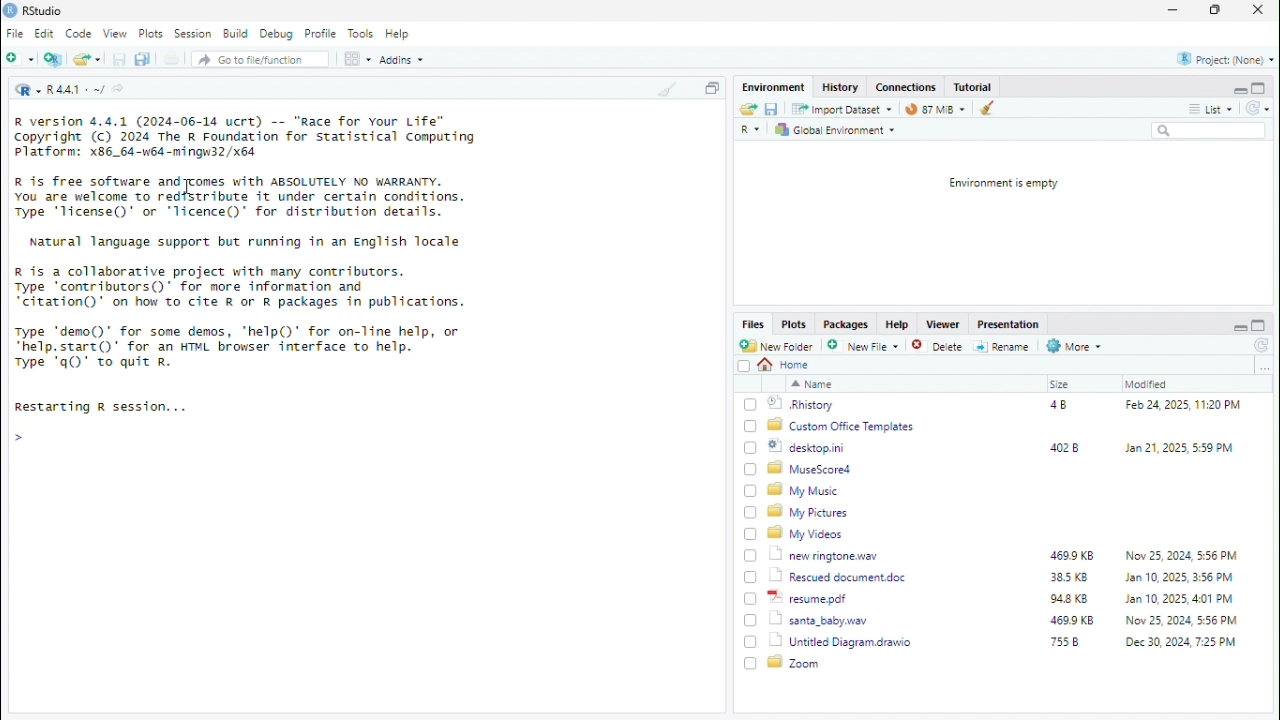  What do you see at coordinates (245, 138) in the screenshot?
I see `R version 4.4.1 (2024-06-14 ucrt) -- "Race for Your Life”
Copyright (c) 2024 The R Foundation for statistical Computing
Platform: x86_64-w64-mingw32/x64` at bounding box center [245, 138].